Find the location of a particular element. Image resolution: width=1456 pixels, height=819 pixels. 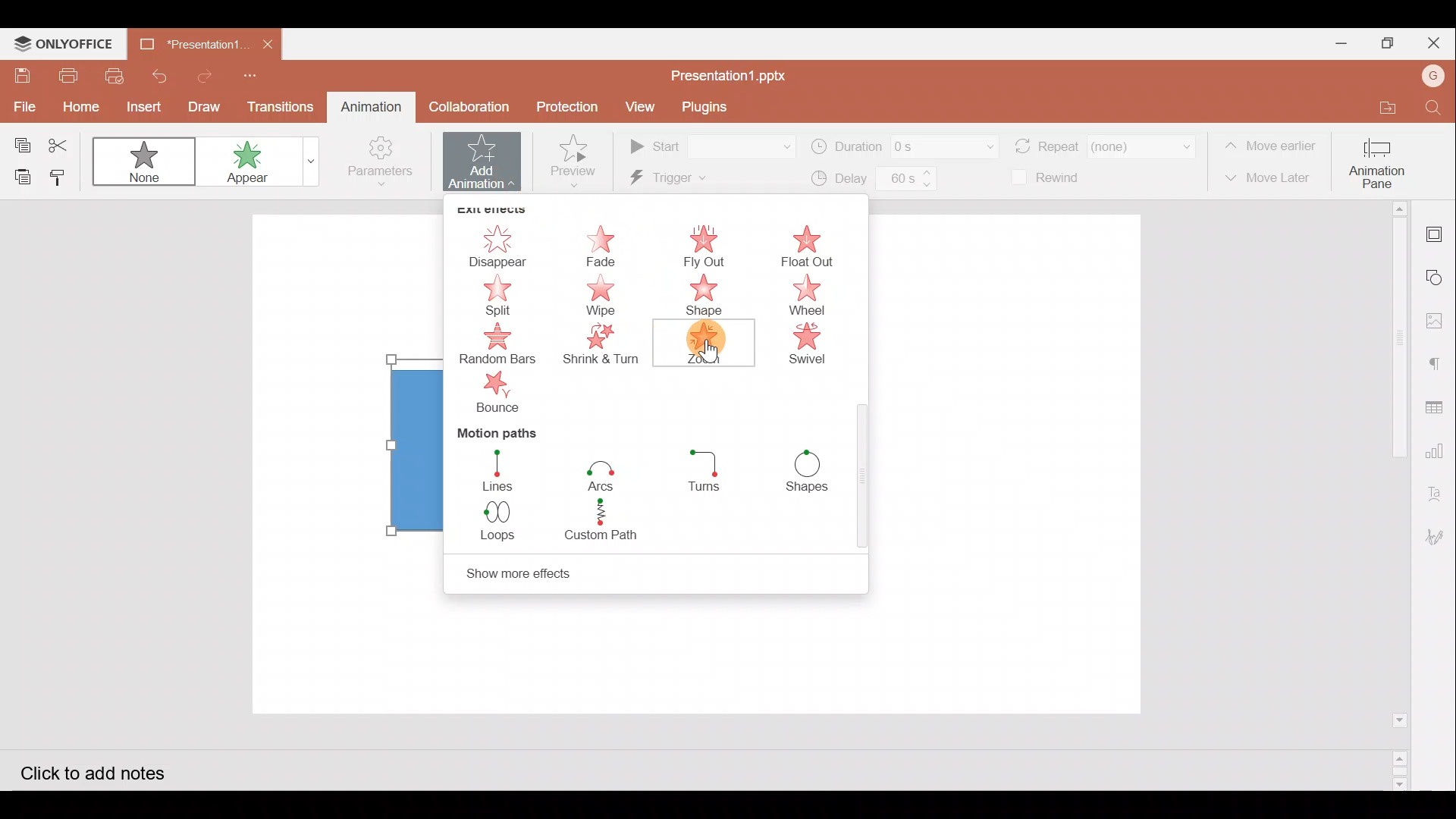

Preview is located at coordinates (574, 157).